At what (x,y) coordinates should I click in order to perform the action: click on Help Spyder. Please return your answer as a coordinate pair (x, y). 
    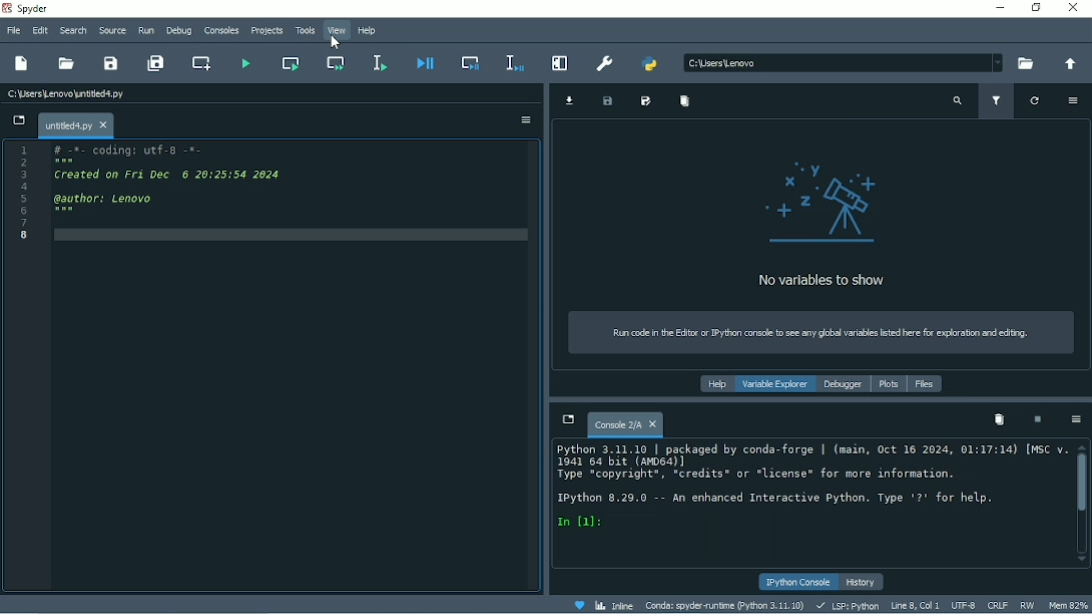
    Looking at the image, I should click on (578, 605).